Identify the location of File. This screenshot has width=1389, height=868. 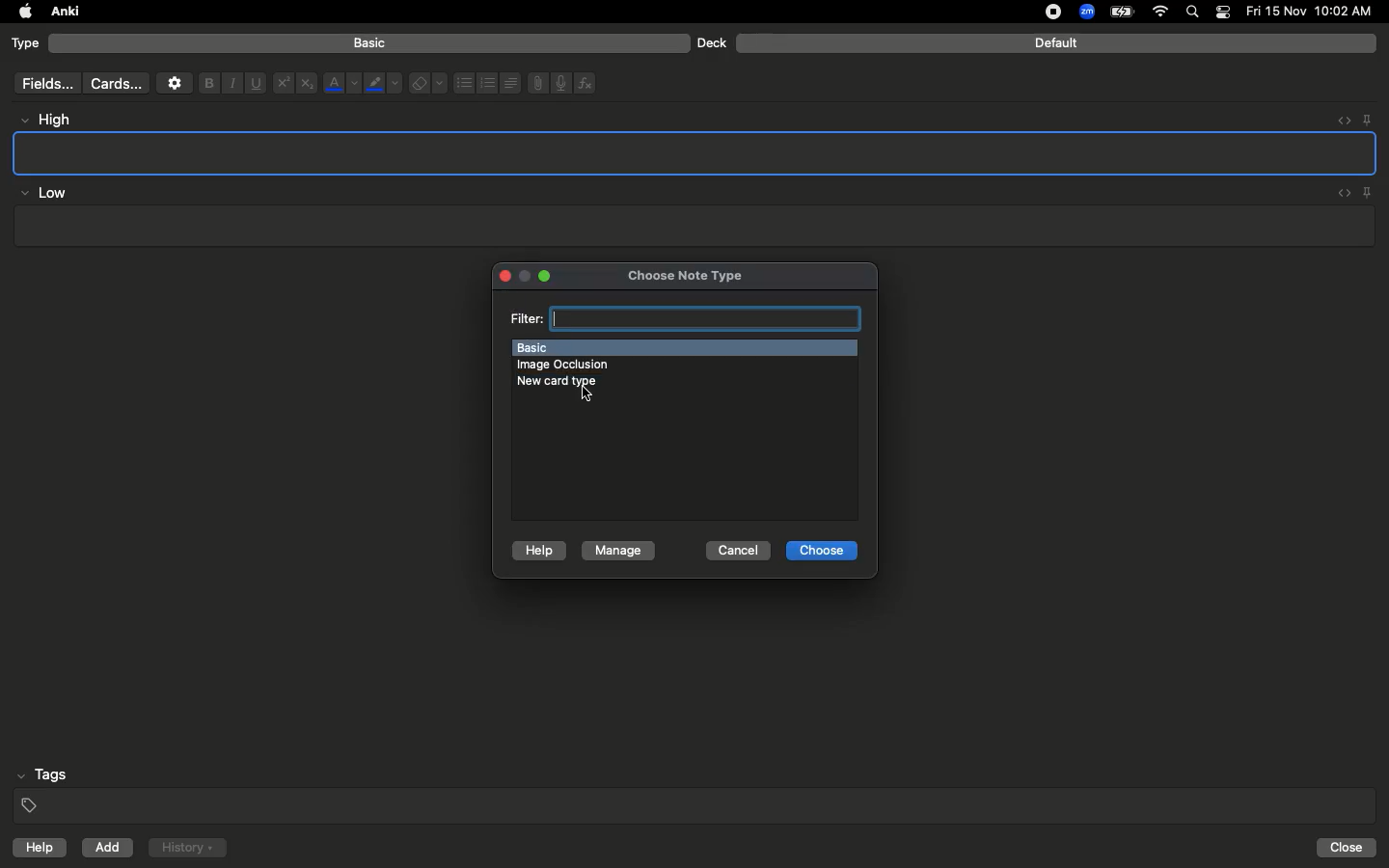
(534, 83).